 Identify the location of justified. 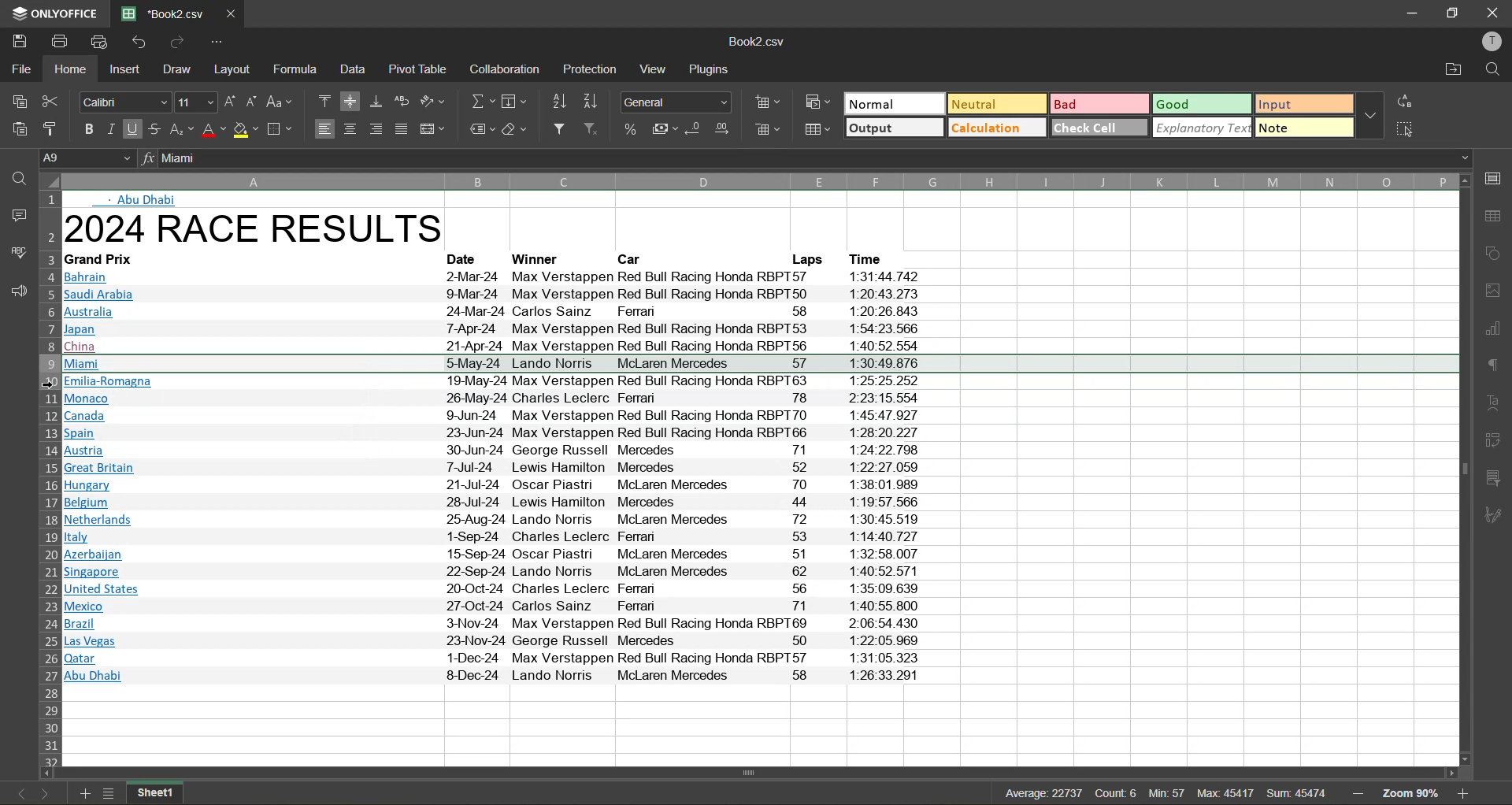
(402, 129).